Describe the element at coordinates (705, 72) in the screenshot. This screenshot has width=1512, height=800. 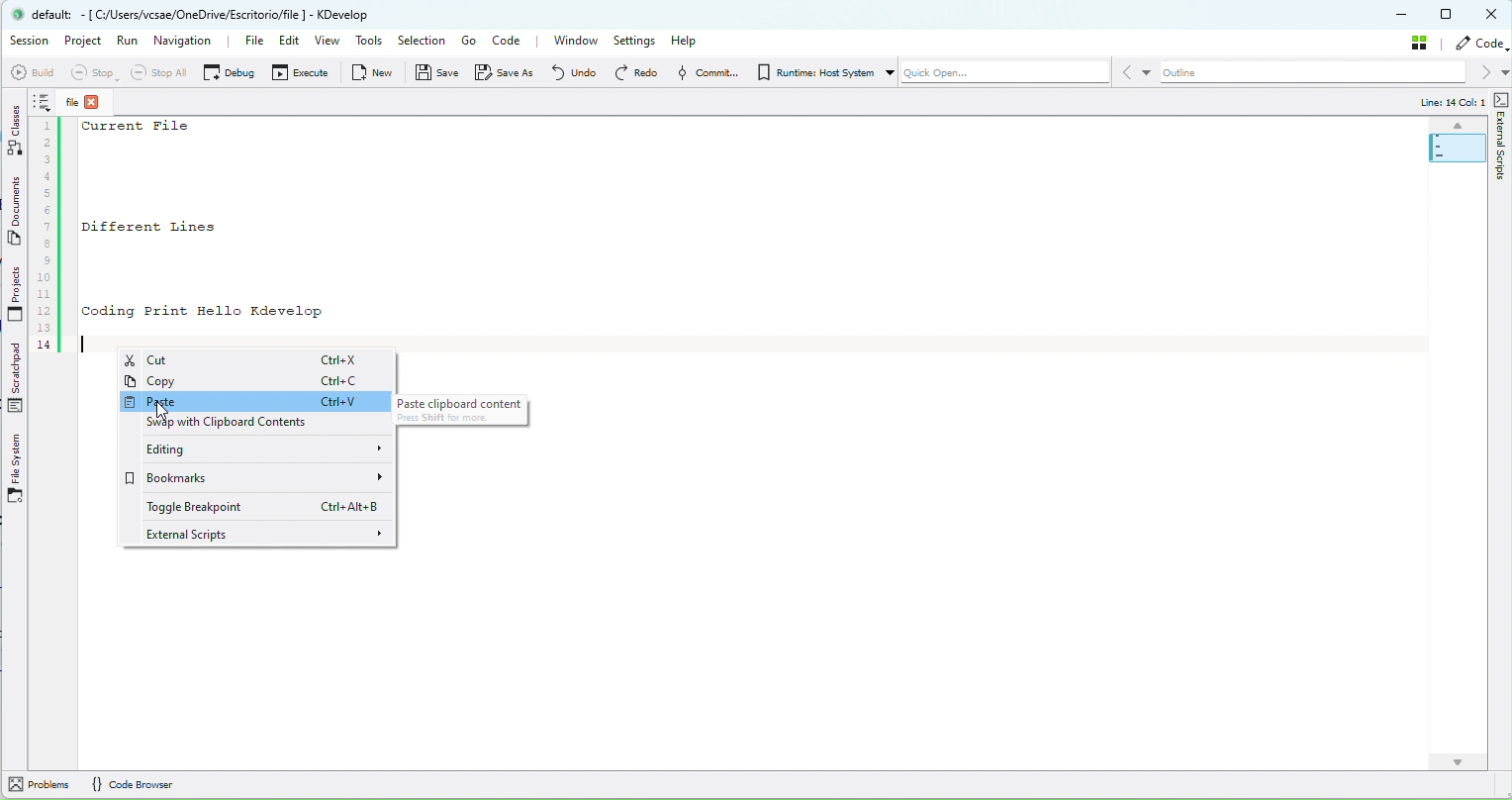
I see `Commit` at that location.